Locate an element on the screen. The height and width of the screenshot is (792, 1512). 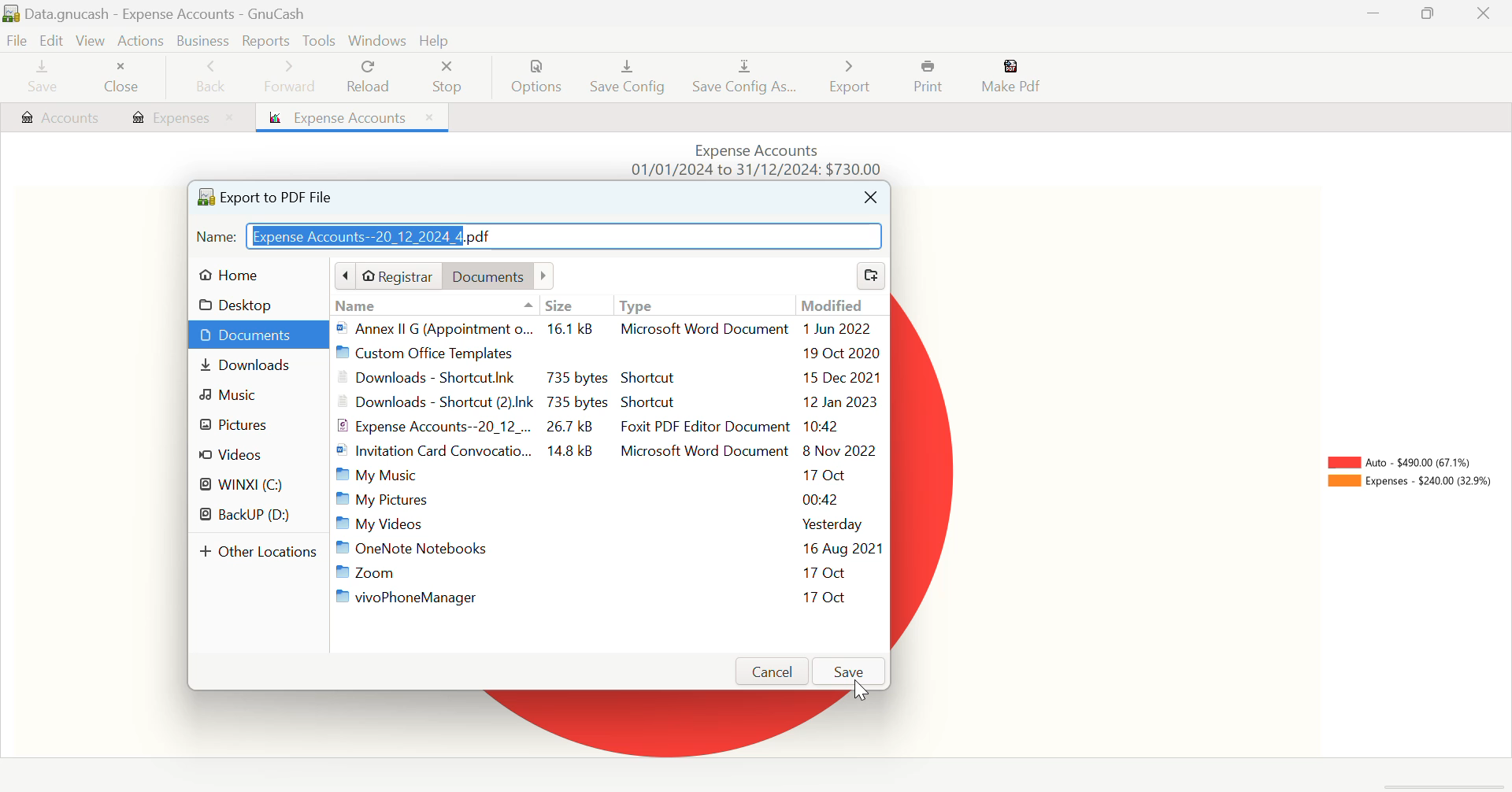
Help is located at coordinates (436, 40).